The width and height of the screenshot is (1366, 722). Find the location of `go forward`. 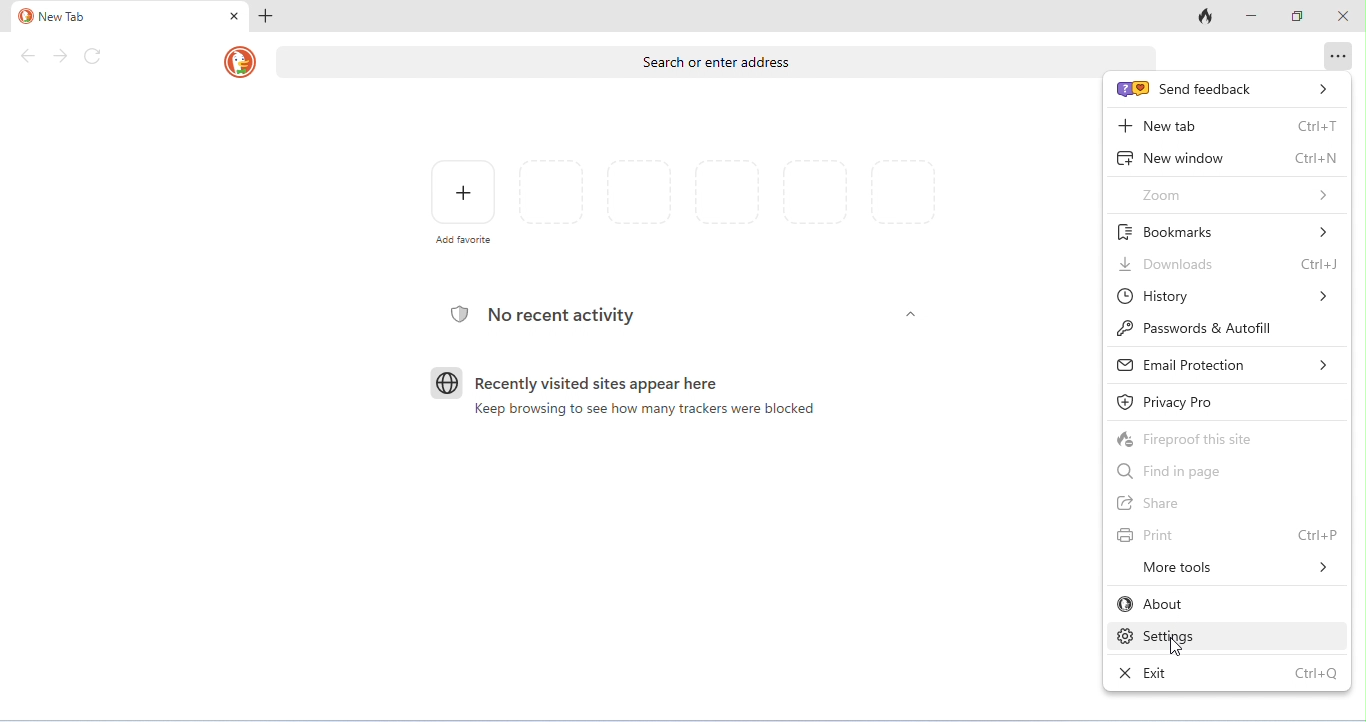

go forward is located at coordinates (60, 56).